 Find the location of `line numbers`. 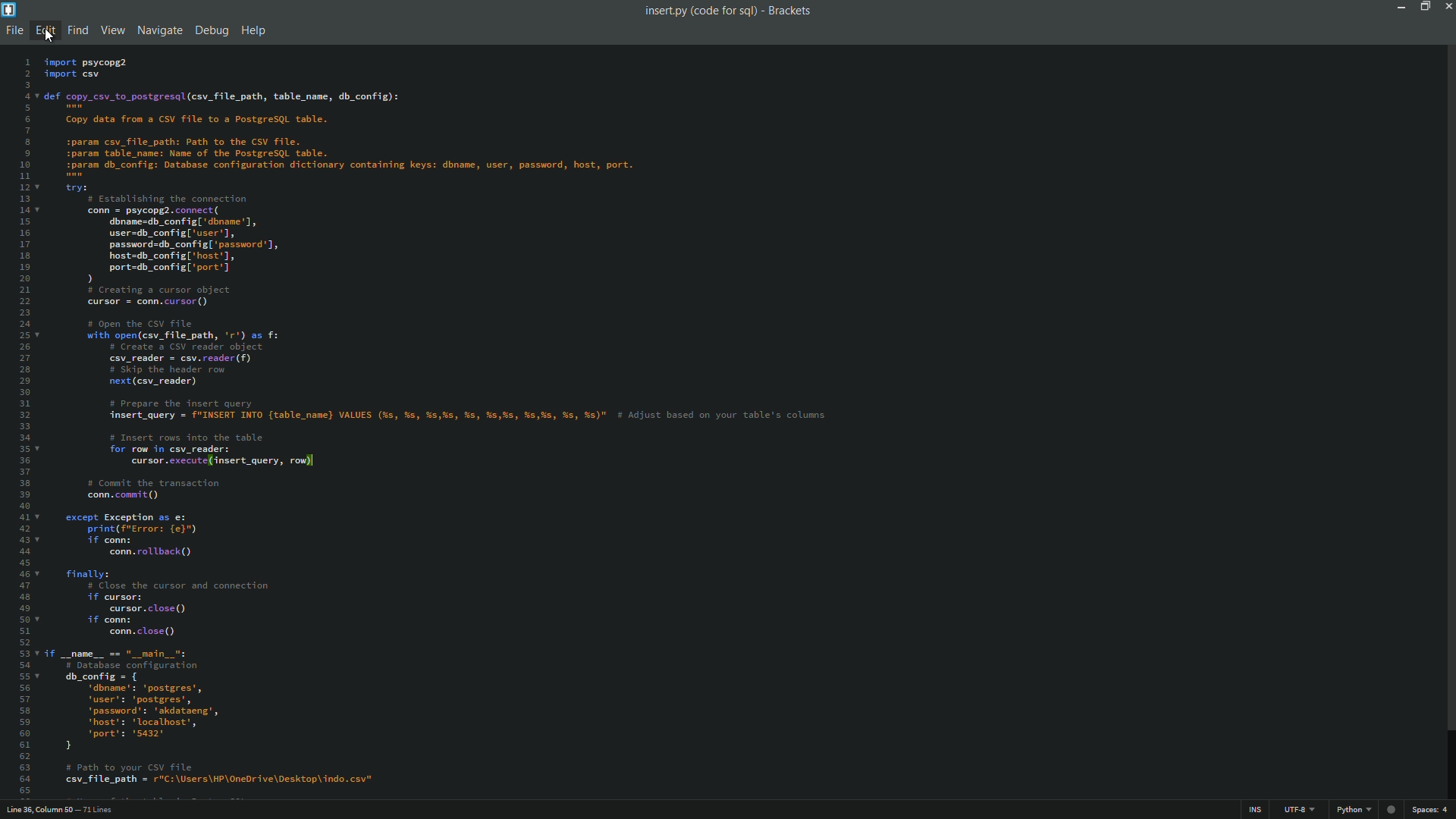

line numbers is located at coordinates (19, 426).